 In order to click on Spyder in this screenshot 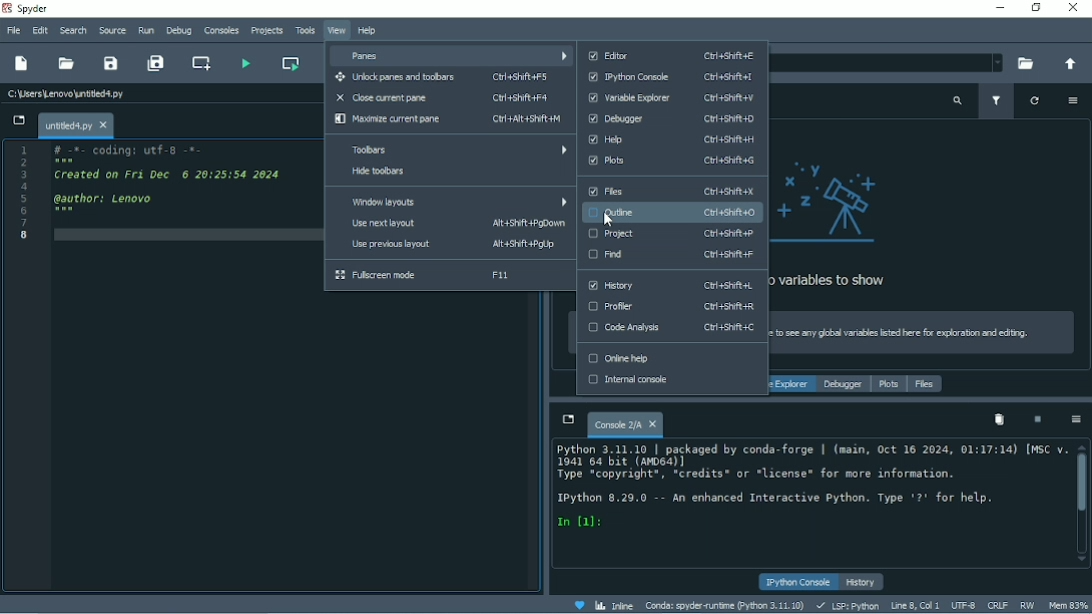, I will do `click(29, 9)`.